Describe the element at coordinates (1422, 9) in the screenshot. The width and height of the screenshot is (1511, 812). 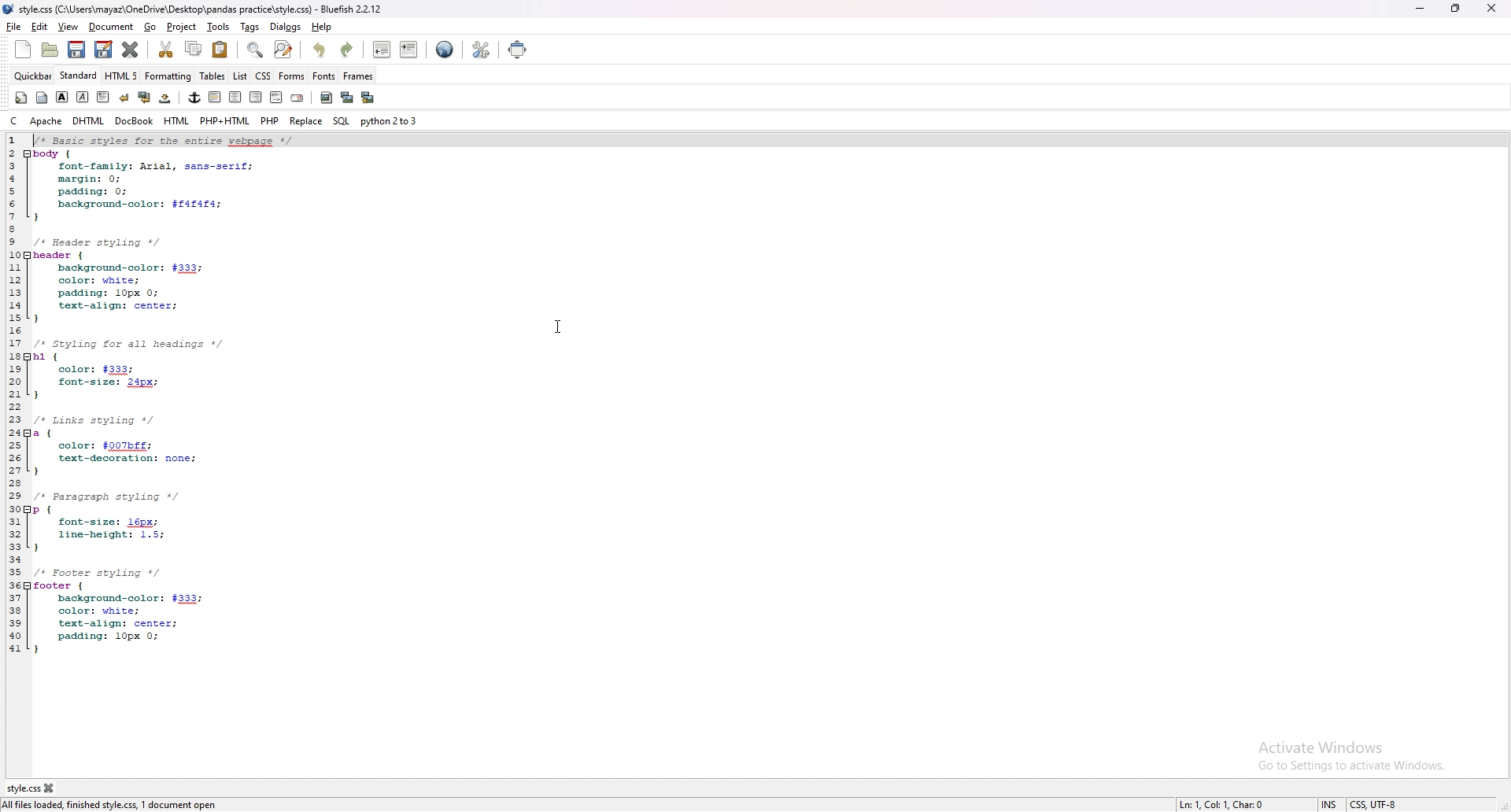
I see `minimize` at that location.